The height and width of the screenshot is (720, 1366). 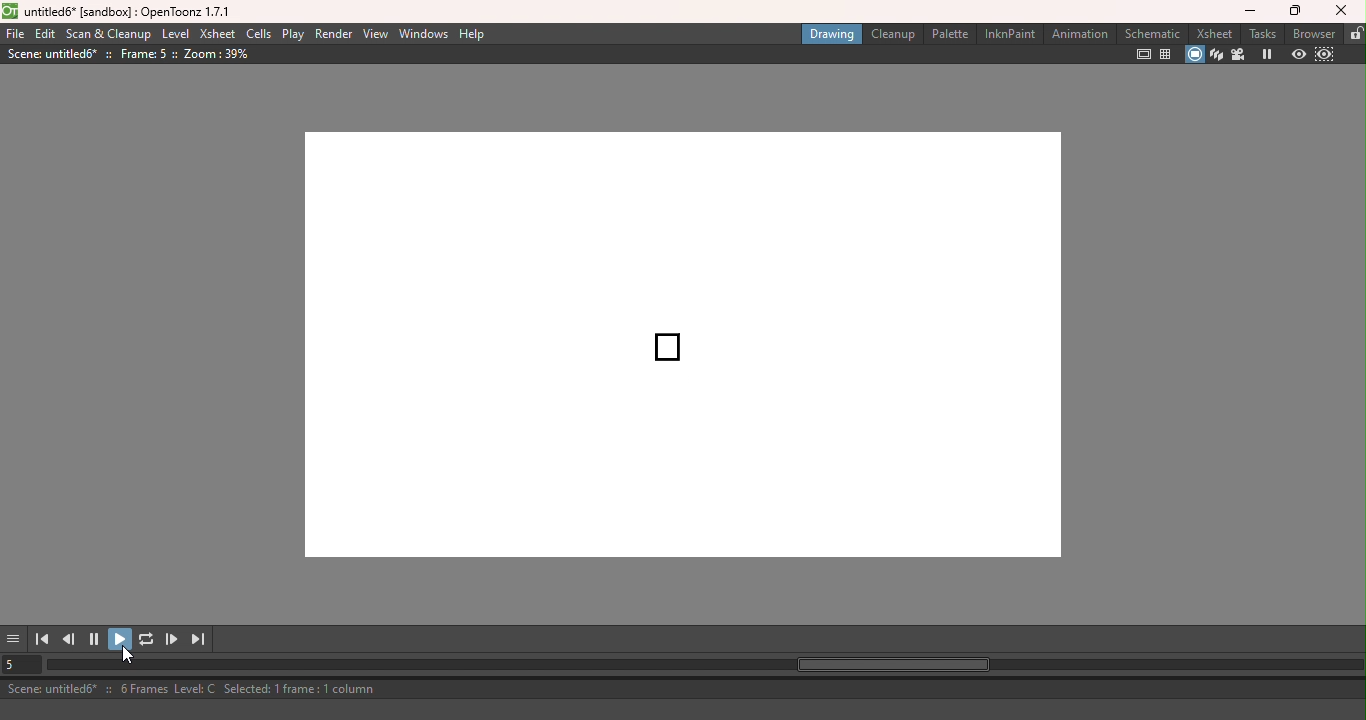 I want to click on Horizontal scroll bar, so click(x=701, y=666).